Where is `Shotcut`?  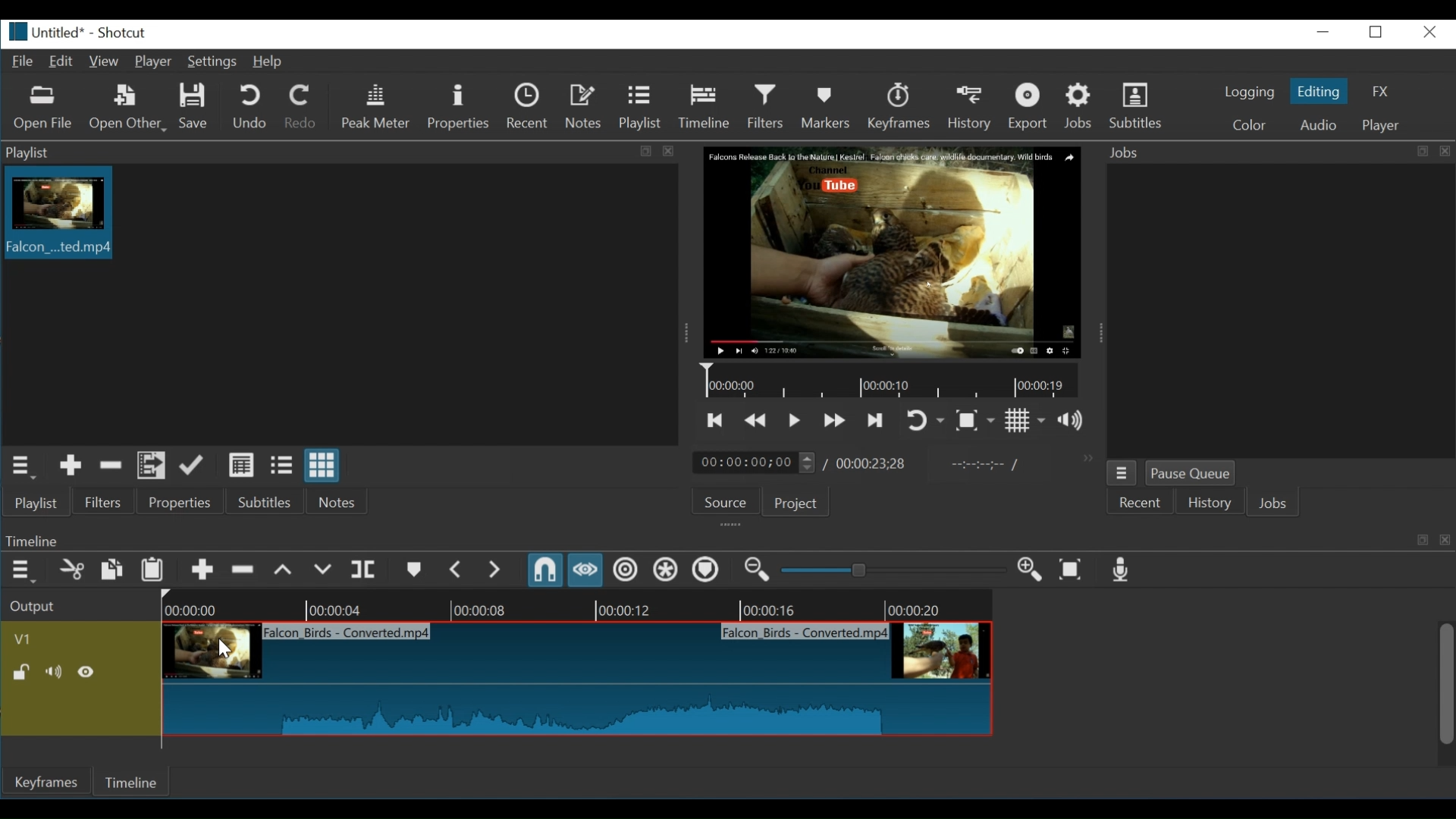
Shotcut is located at coordinates (121, 33).